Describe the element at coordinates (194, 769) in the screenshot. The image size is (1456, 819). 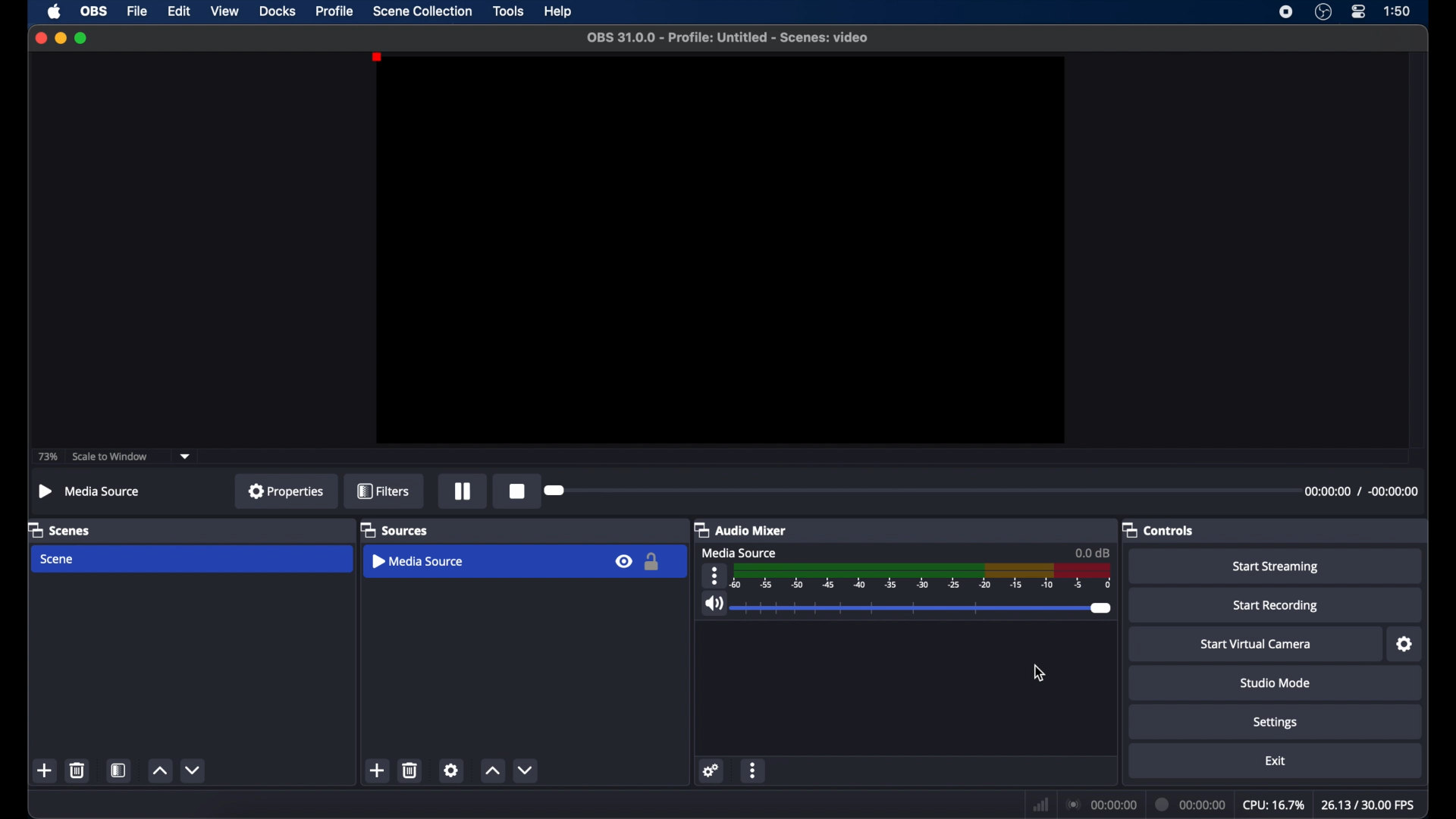
I see `decrement` at that location.